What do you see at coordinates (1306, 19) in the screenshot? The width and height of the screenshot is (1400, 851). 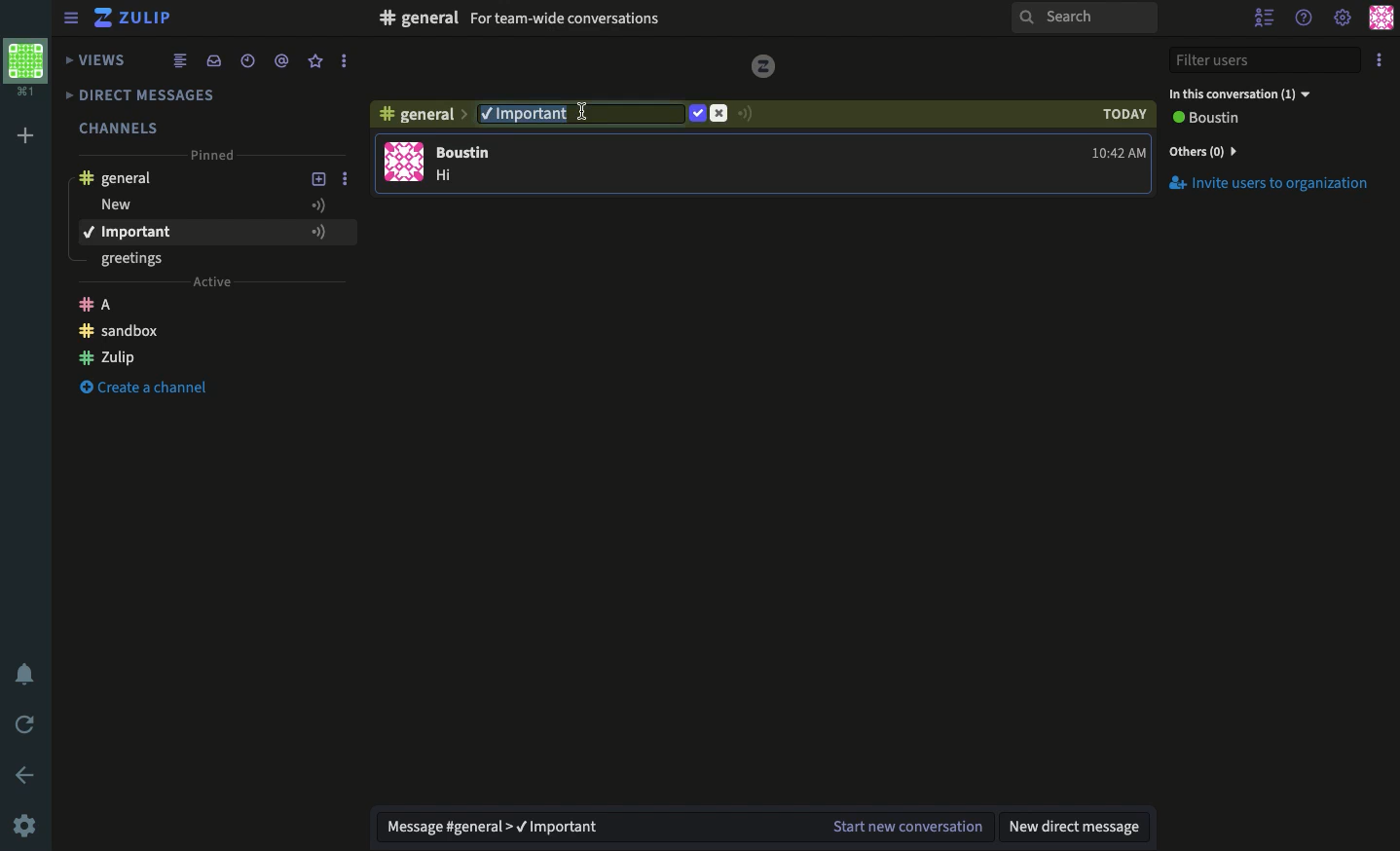 I see `Help` at bounding box center [1306, 19].